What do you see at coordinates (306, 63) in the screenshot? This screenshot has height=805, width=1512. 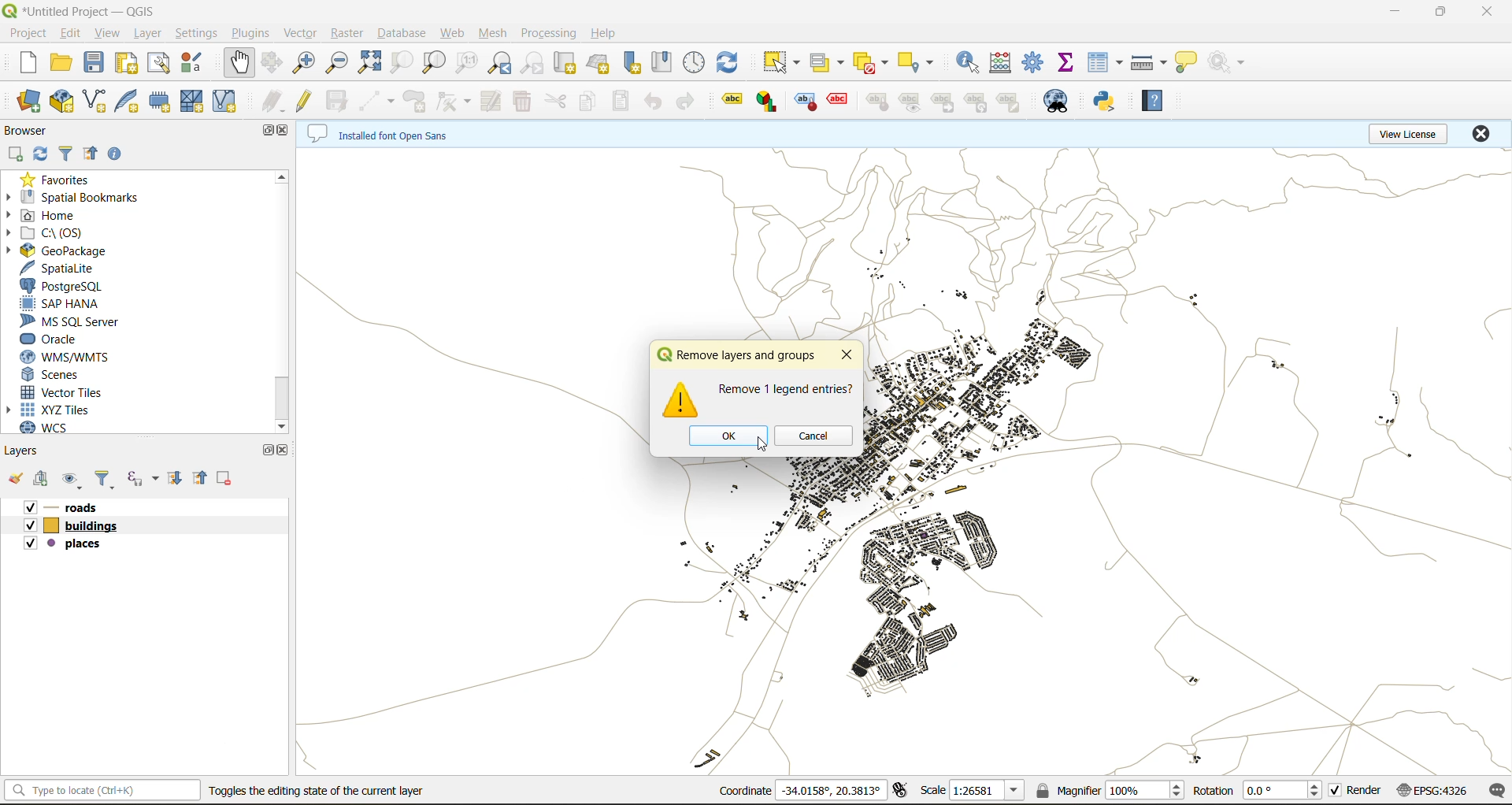 I see `zoom in` at bounding box center [306, 63].